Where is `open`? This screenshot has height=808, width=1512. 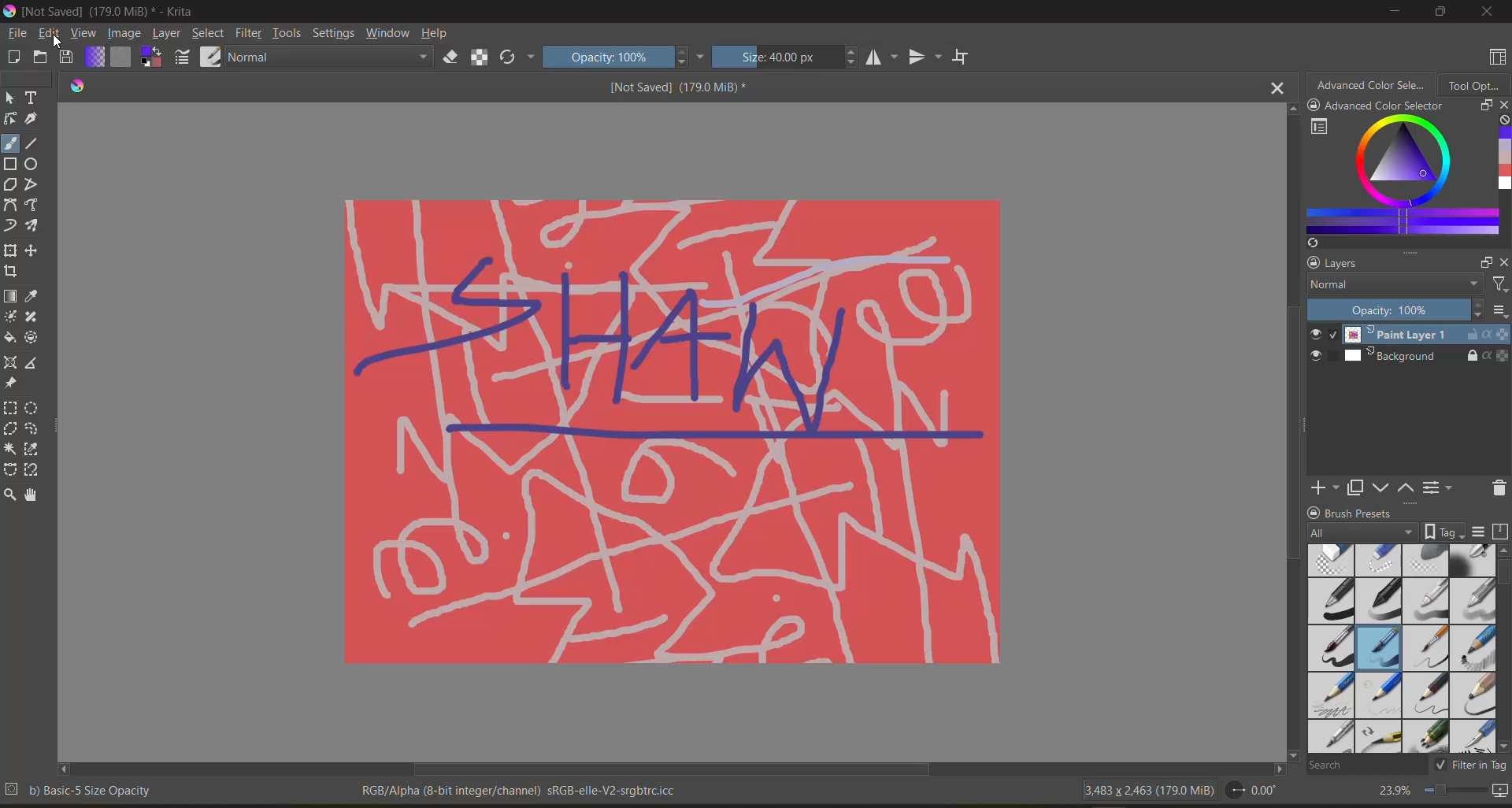
open is located at coordinates (40, 56).